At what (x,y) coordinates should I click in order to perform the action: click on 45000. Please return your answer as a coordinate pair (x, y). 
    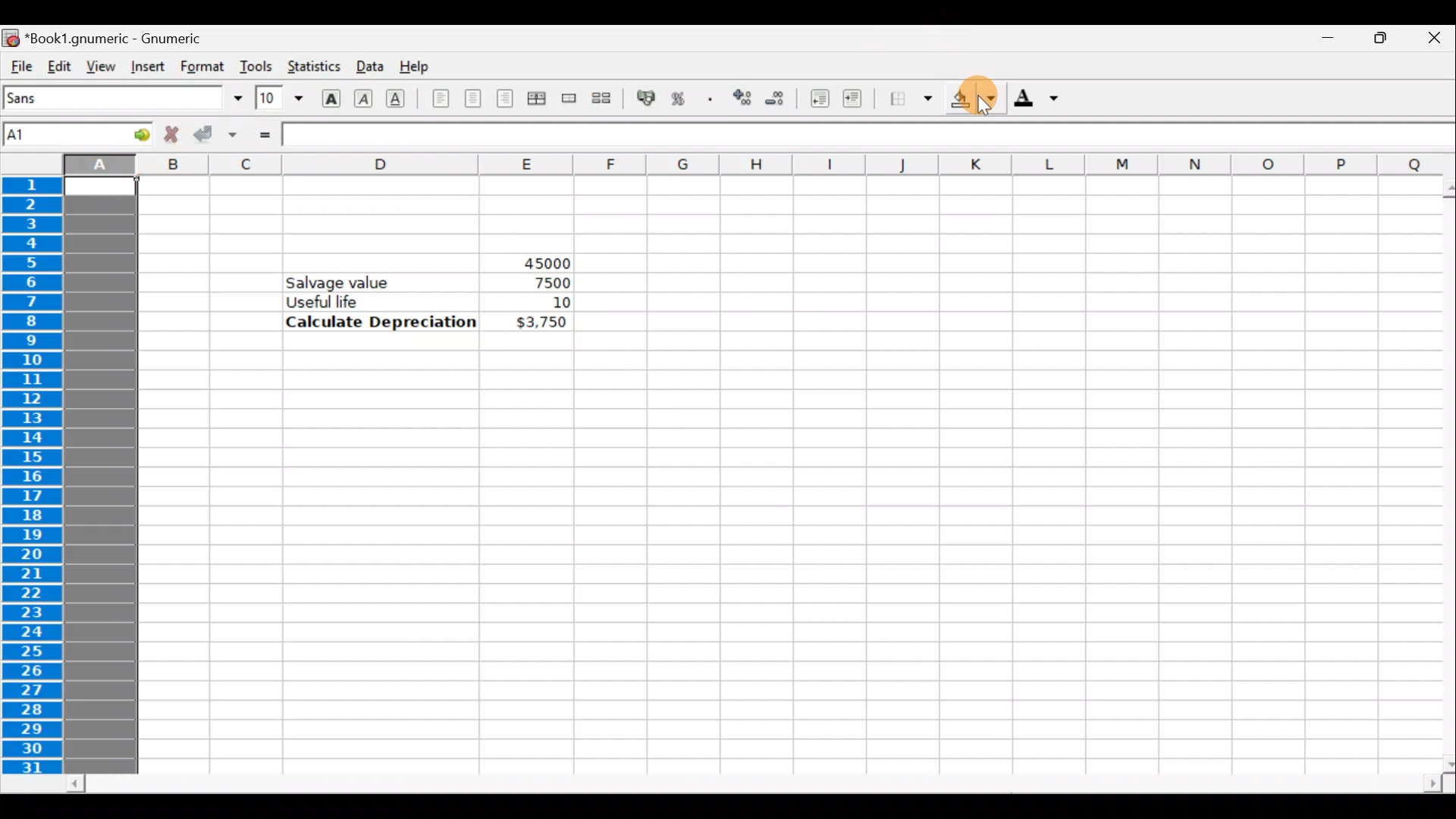
    Looking at the image, I should click on (533, 260).